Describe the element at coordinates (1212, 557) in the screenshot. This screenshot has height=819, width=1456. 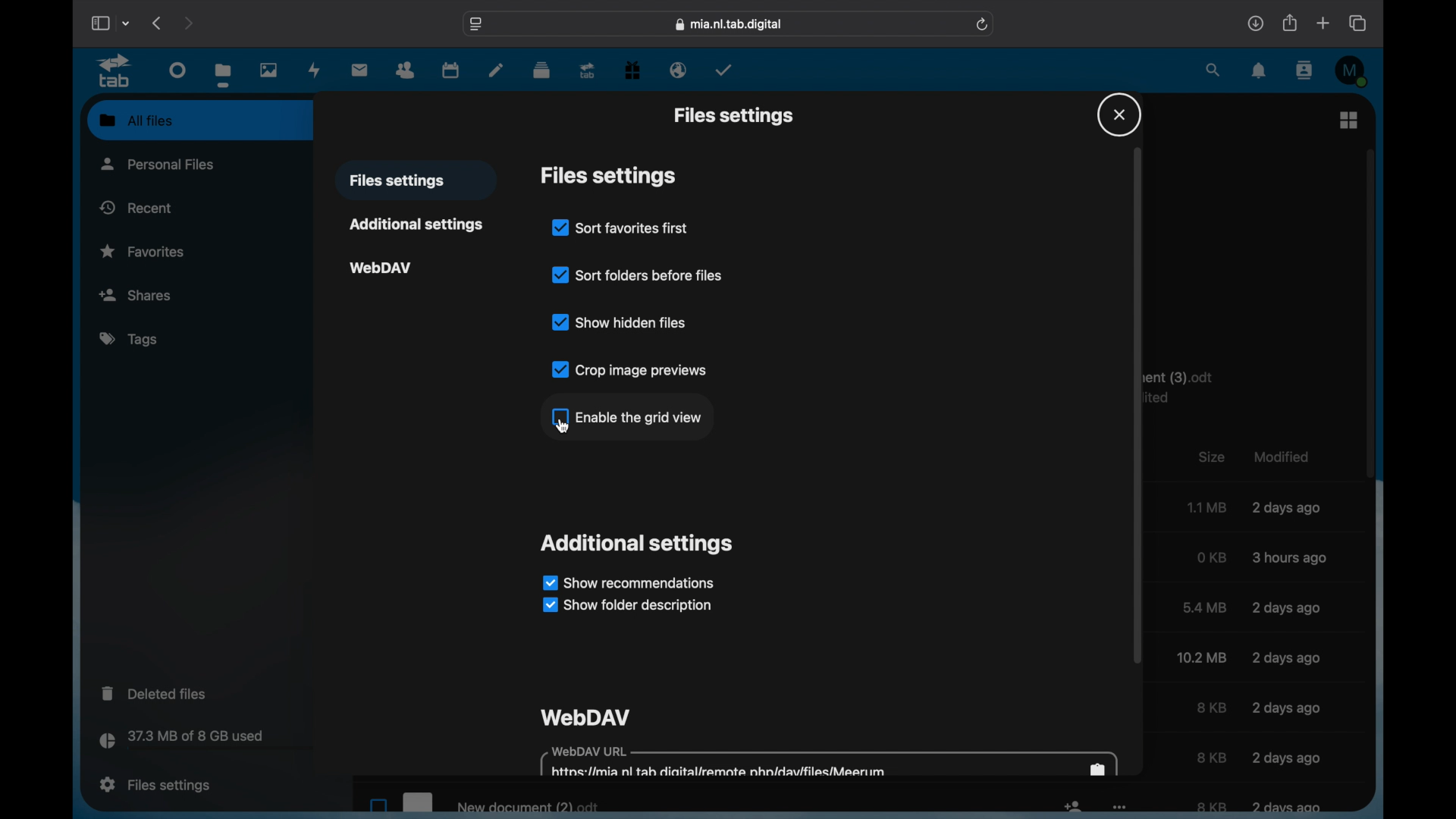
I see `size` at that location.